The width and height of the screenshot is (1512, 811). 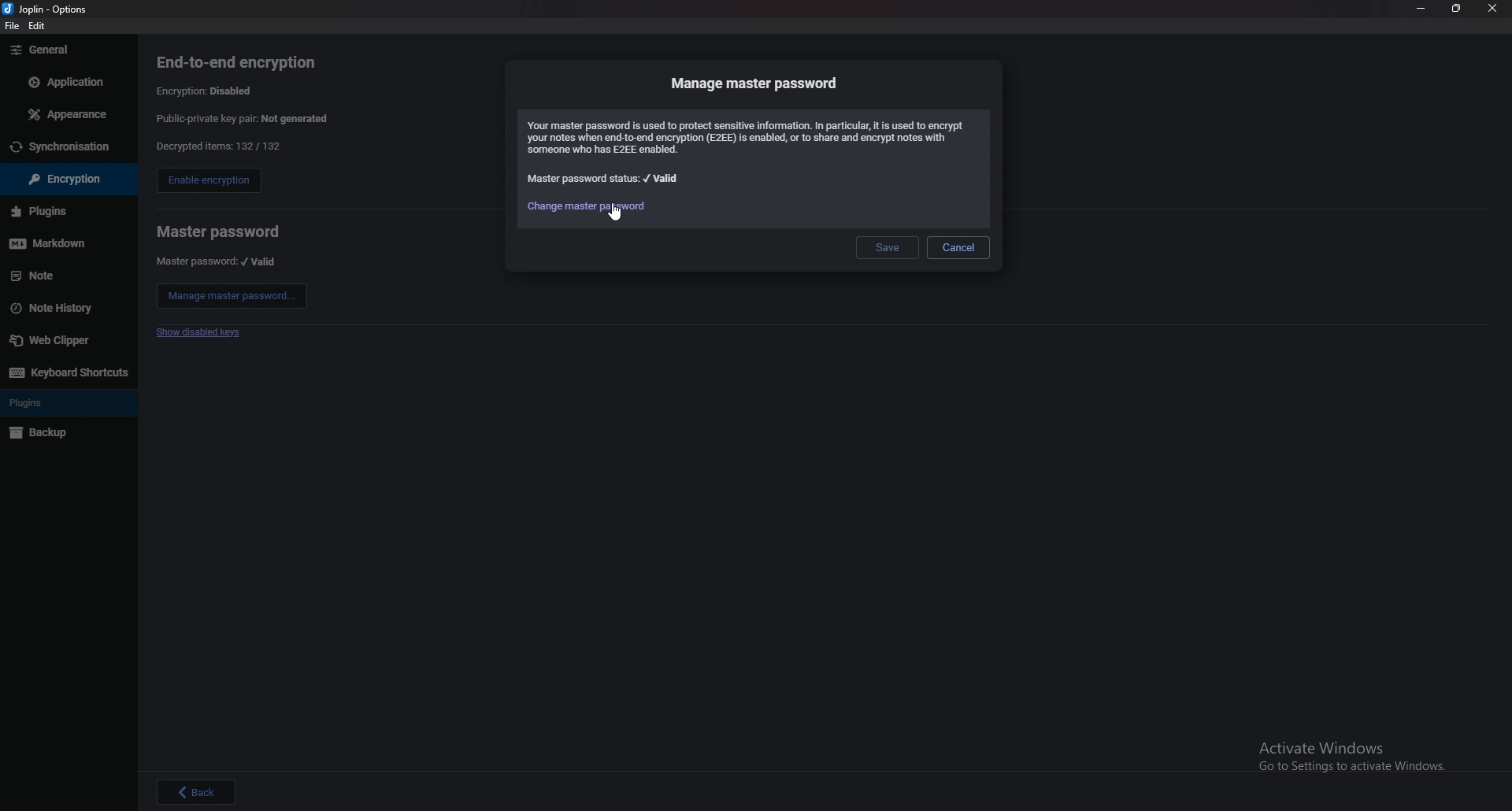 What do you see at coordinates (66, 403) in the screenshot?
I see `plugins` at bounding box center [66, 403].